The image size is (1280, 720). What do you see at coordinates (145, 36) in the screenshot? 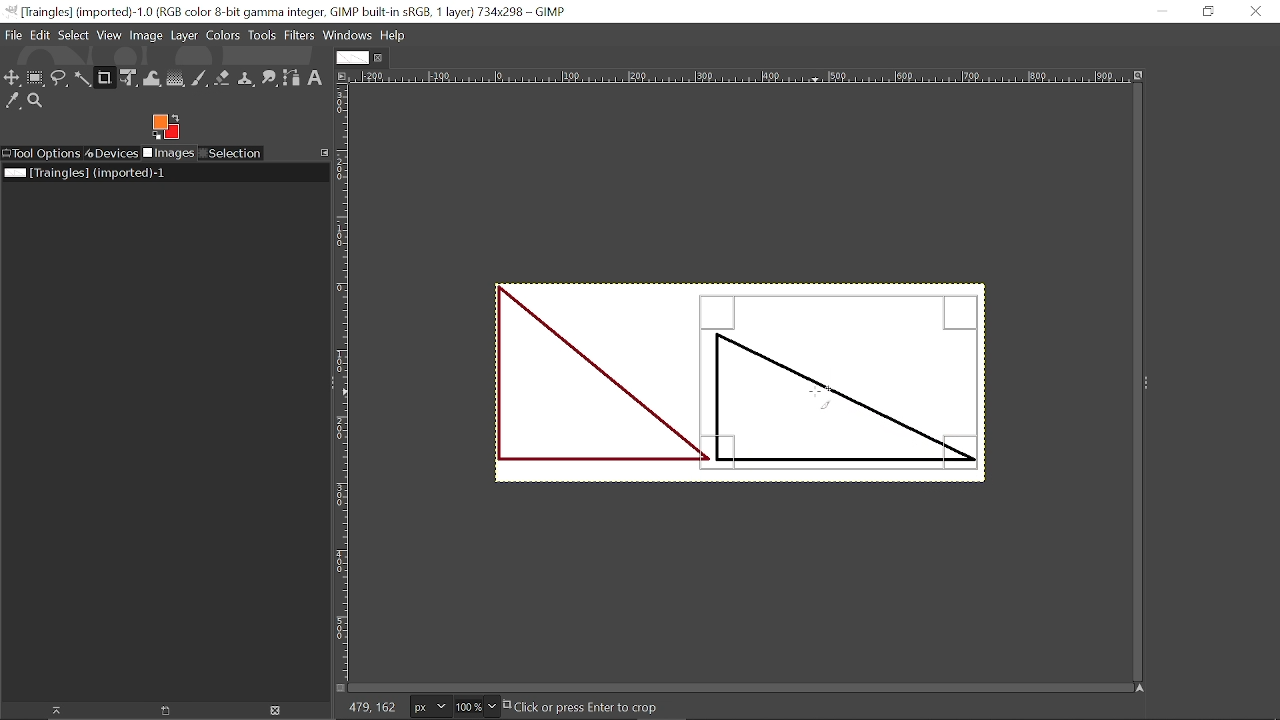
I see `Image` at bounding box center [145, 36].